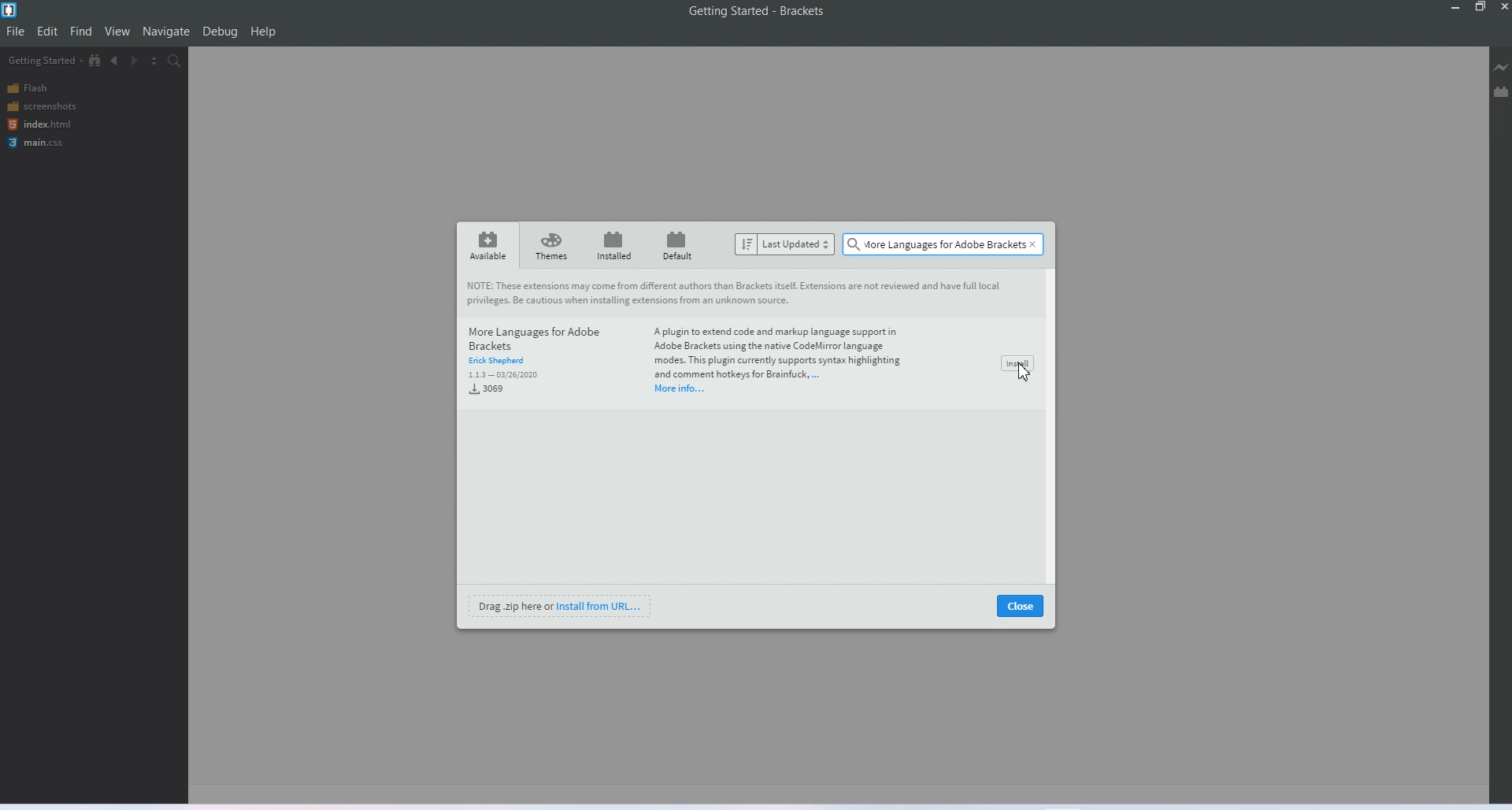  Describe the element at coordinates (117, 32) in the screenshot. I see `View` at that location.